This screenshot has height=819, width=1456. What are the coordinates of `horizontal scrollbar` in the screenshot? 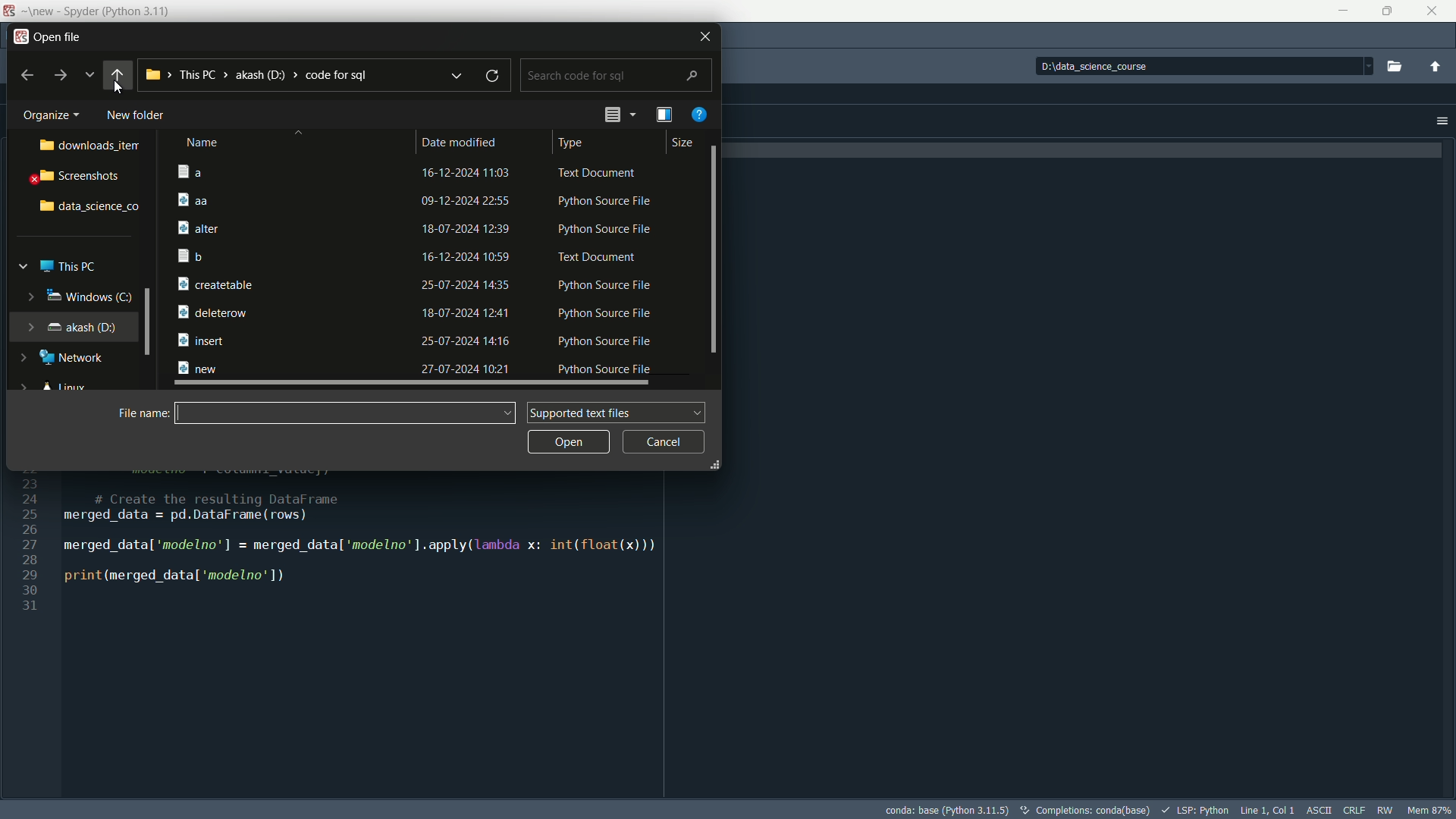 It's located at (410, 385).